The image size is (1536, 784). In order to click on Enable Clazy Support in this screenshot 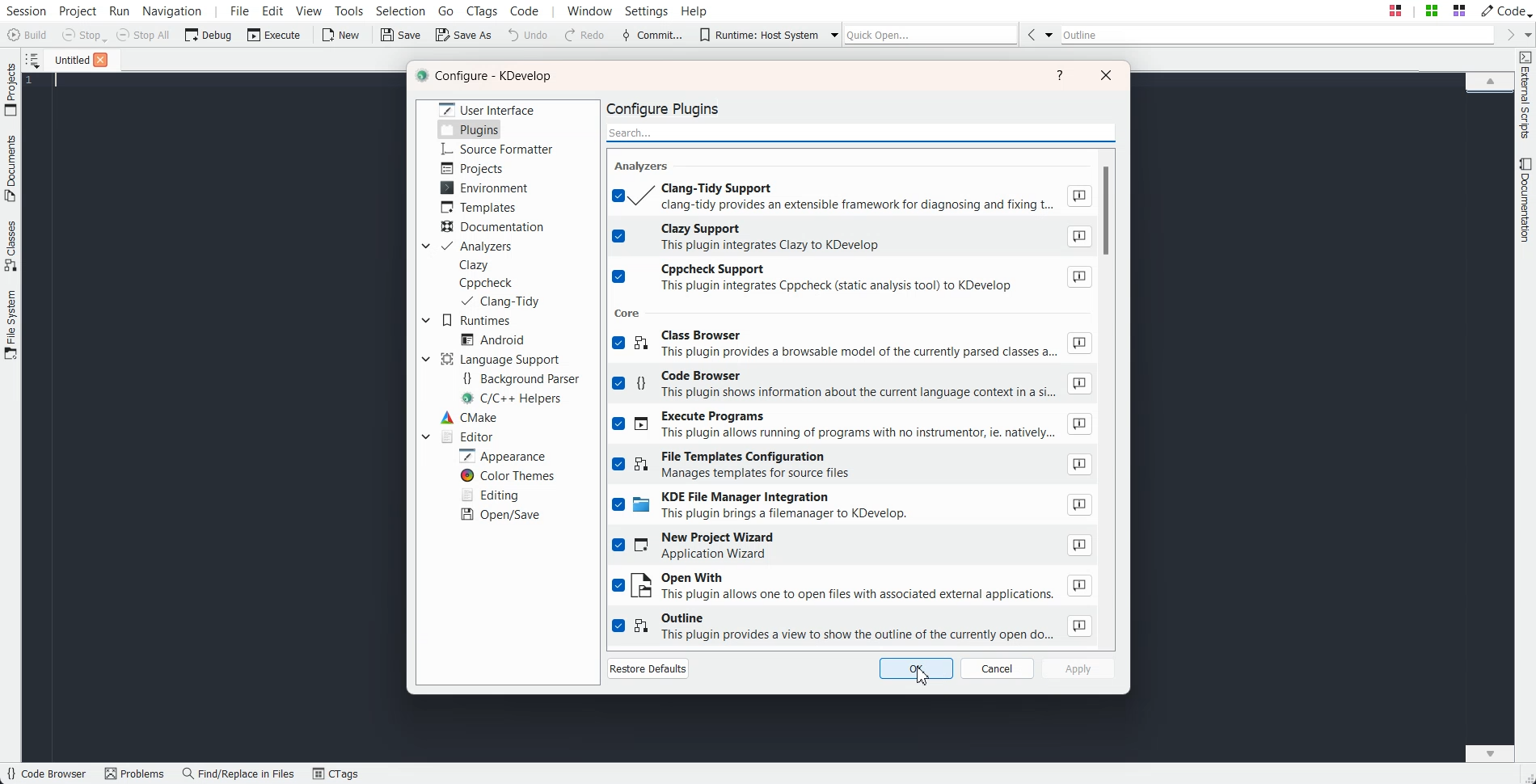, I will do `click(853, 237)`.